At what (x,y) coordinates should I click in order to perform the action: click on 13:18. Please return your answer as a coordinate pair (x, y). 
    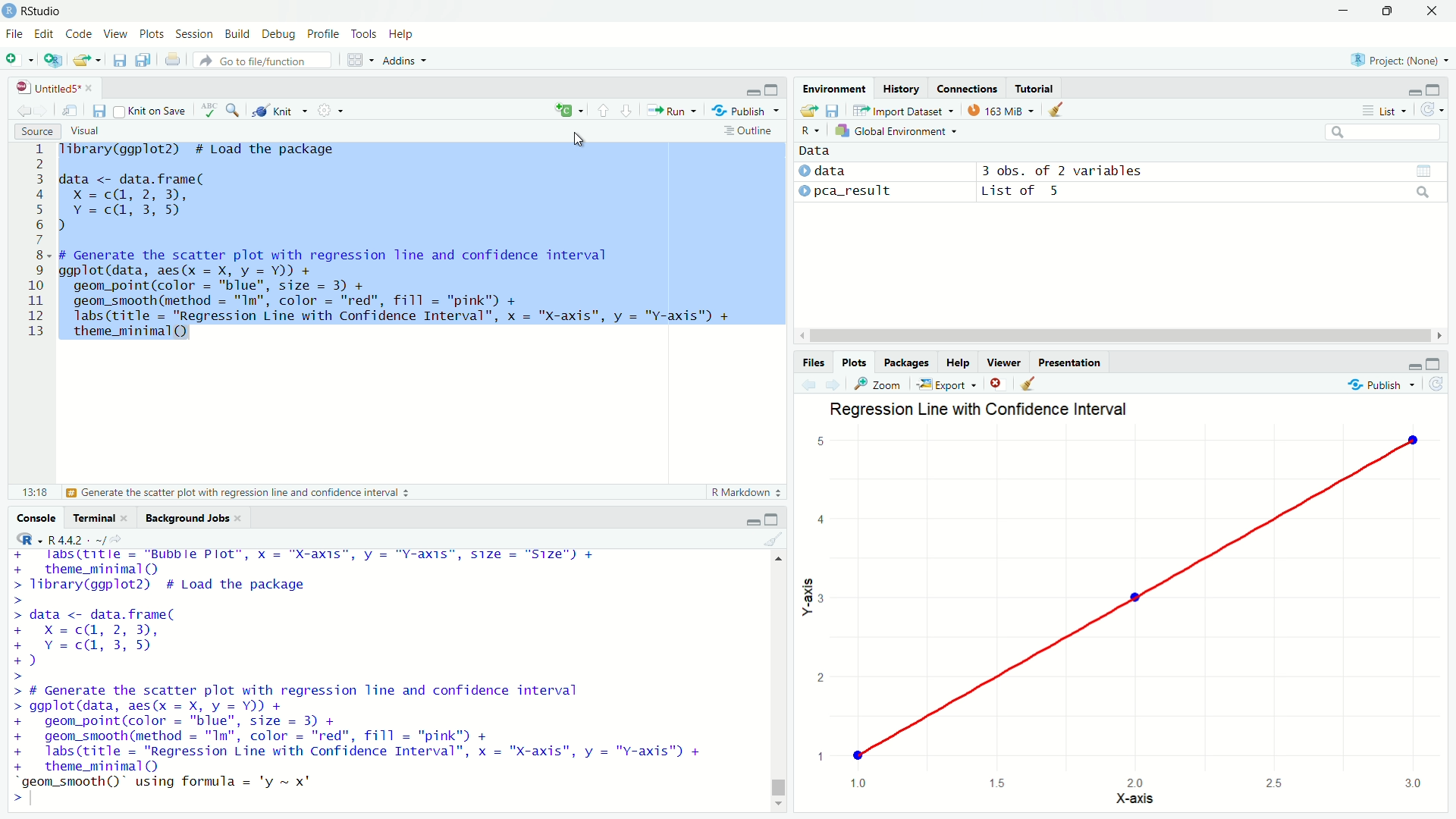
    Looking at the image, I should click on (35, 492).